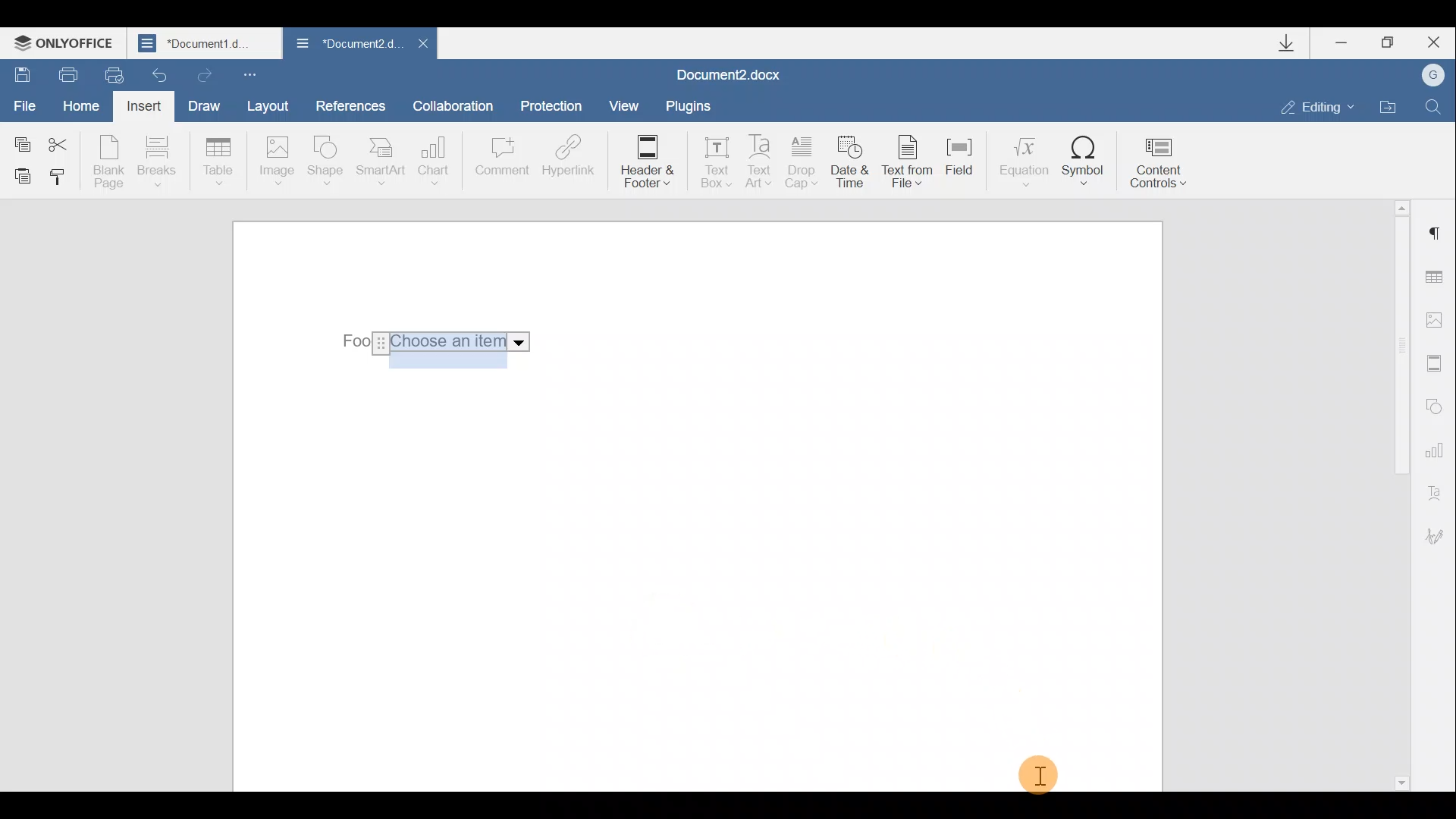 The image size is (1456, 819). I want to click on Header & footer settings, so click(1438, 362).